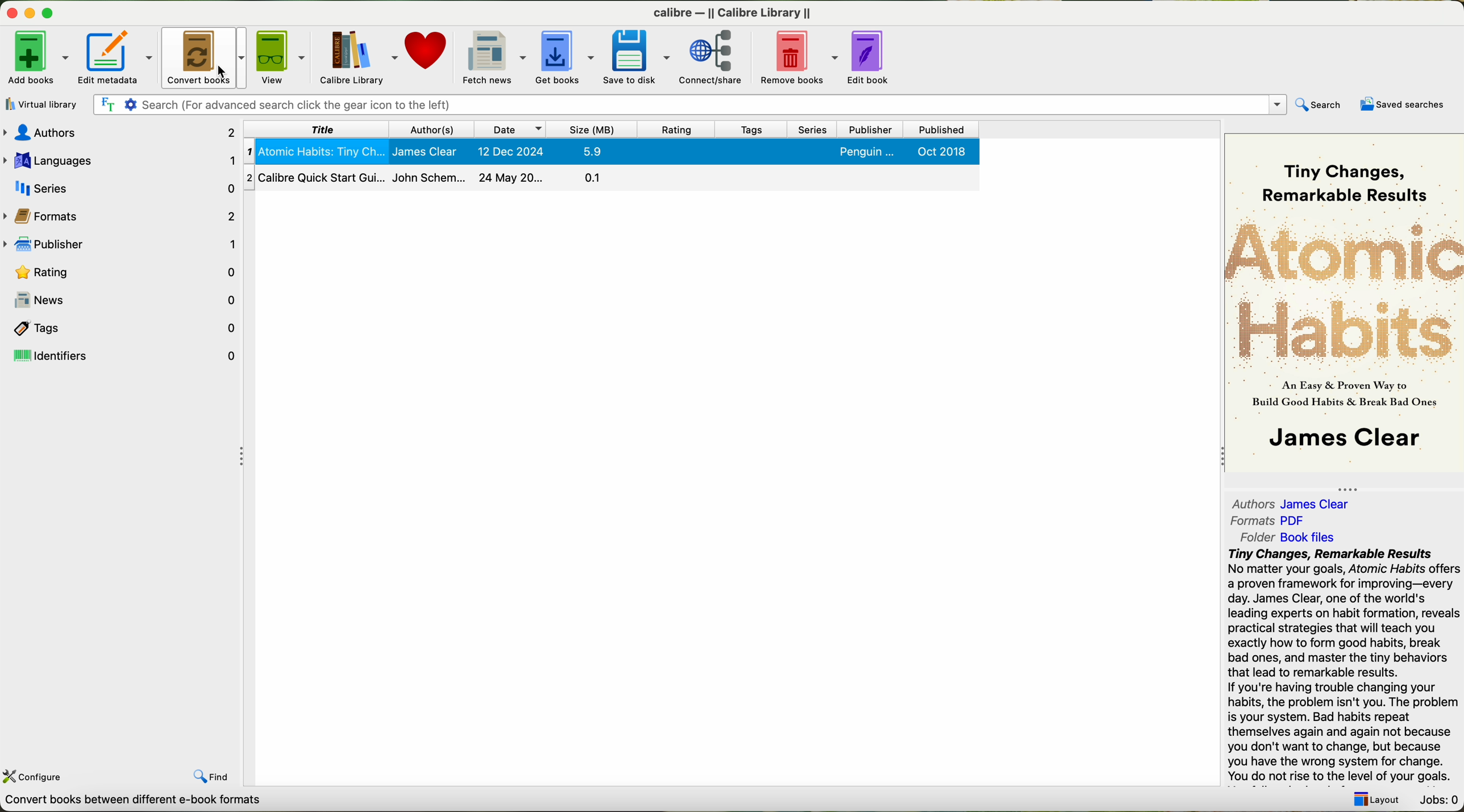 Image resolution: width=1464 pixels, height=812 pixels. I want to click on series, so click(119, 187).